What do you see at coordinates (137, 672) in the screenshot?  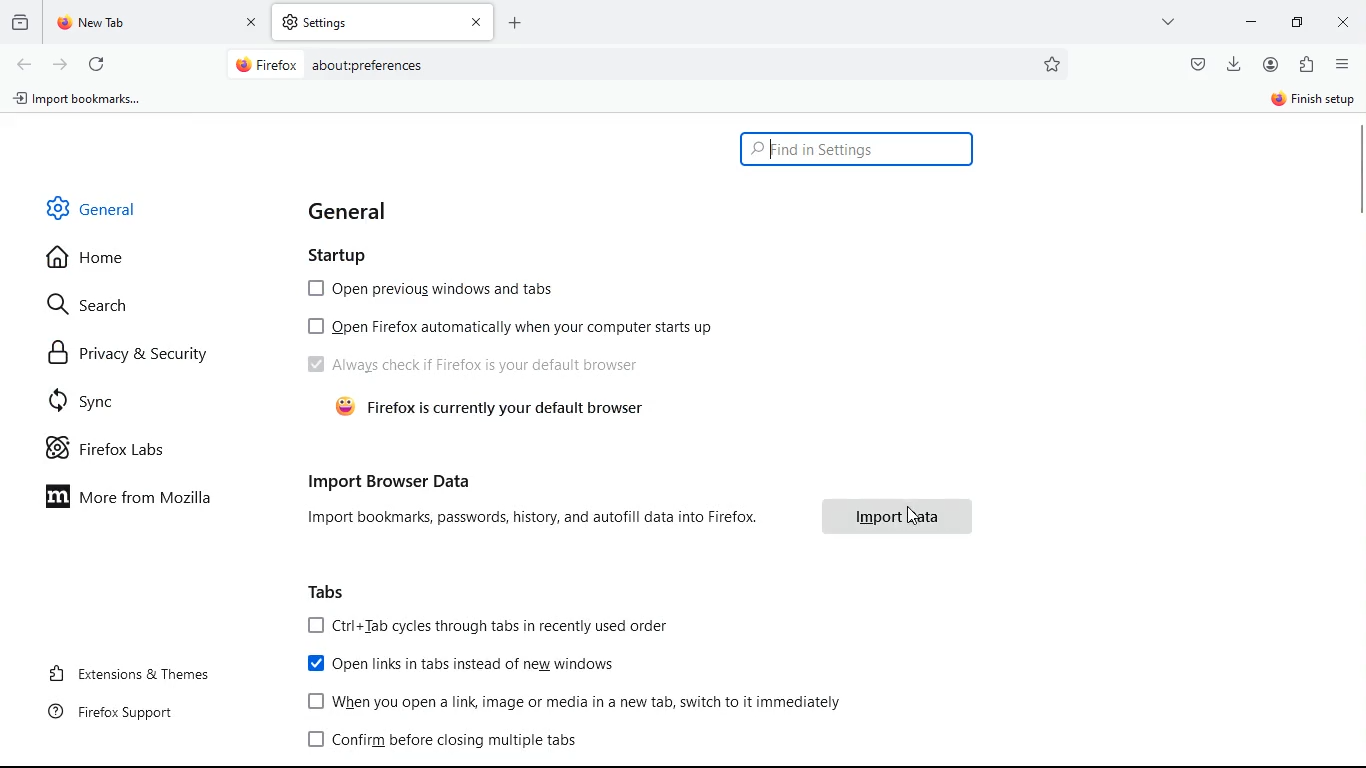 I see `extensions & themes` at bounding box center [137, 672].